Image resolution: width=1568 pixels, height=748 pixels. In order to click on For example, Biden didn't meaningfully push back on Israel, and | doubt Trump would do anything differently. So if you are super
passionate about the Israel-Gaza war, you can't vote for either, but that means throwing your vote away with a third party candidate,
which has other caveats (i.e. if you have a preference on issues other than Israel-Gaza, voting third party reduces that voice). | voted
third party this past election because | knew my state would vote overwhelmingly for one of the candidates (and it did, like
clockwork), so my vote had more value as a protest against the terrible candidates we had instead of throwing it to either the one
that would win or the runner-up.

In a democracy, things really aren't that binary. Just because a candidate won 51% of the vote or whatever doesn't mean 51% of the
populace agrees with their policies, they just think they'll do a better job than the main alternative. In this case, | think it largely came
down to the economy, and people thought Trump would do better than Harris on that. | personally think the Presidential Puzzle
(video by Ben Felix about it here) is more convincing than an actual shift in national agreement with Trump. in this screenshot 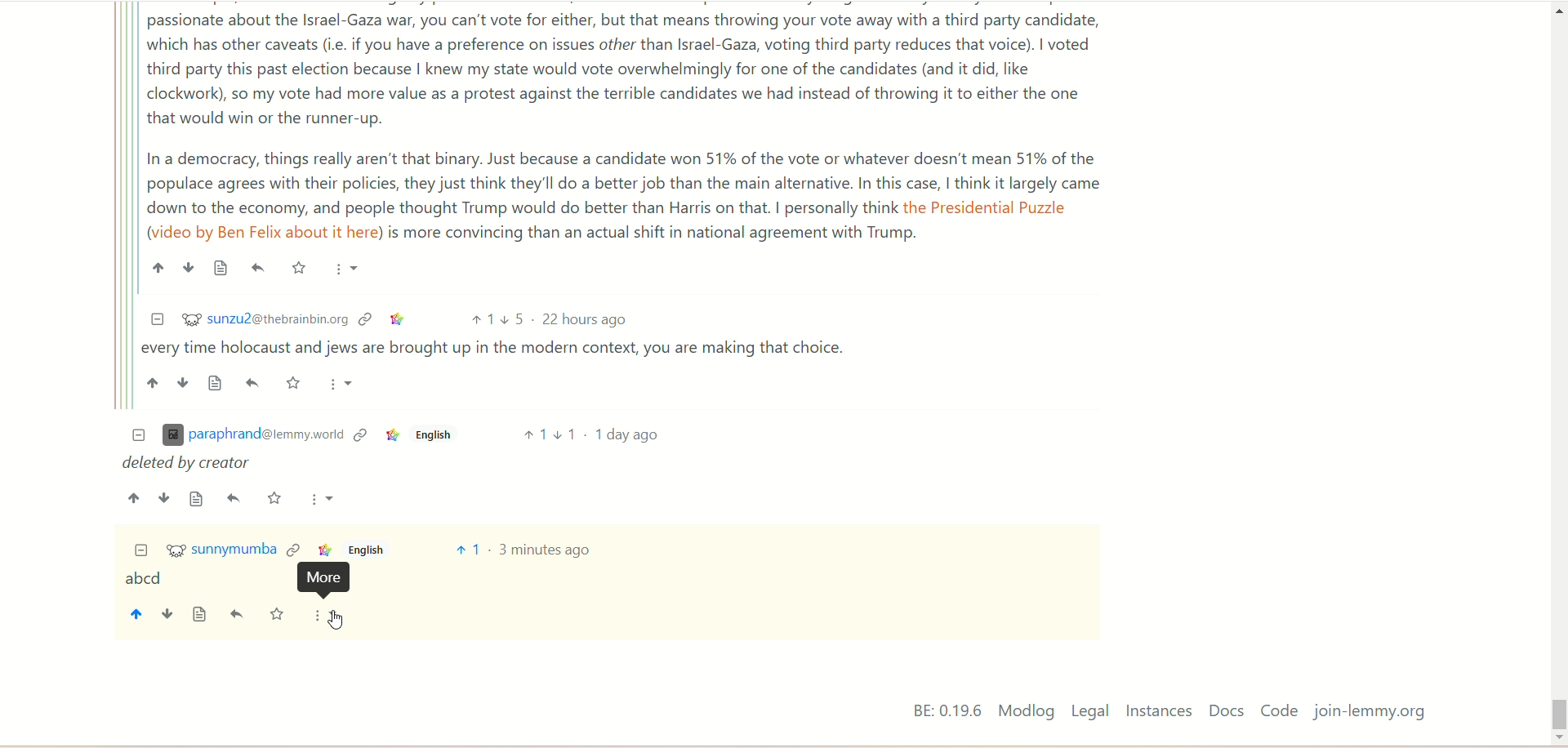, I will do `click(628, 125)`.